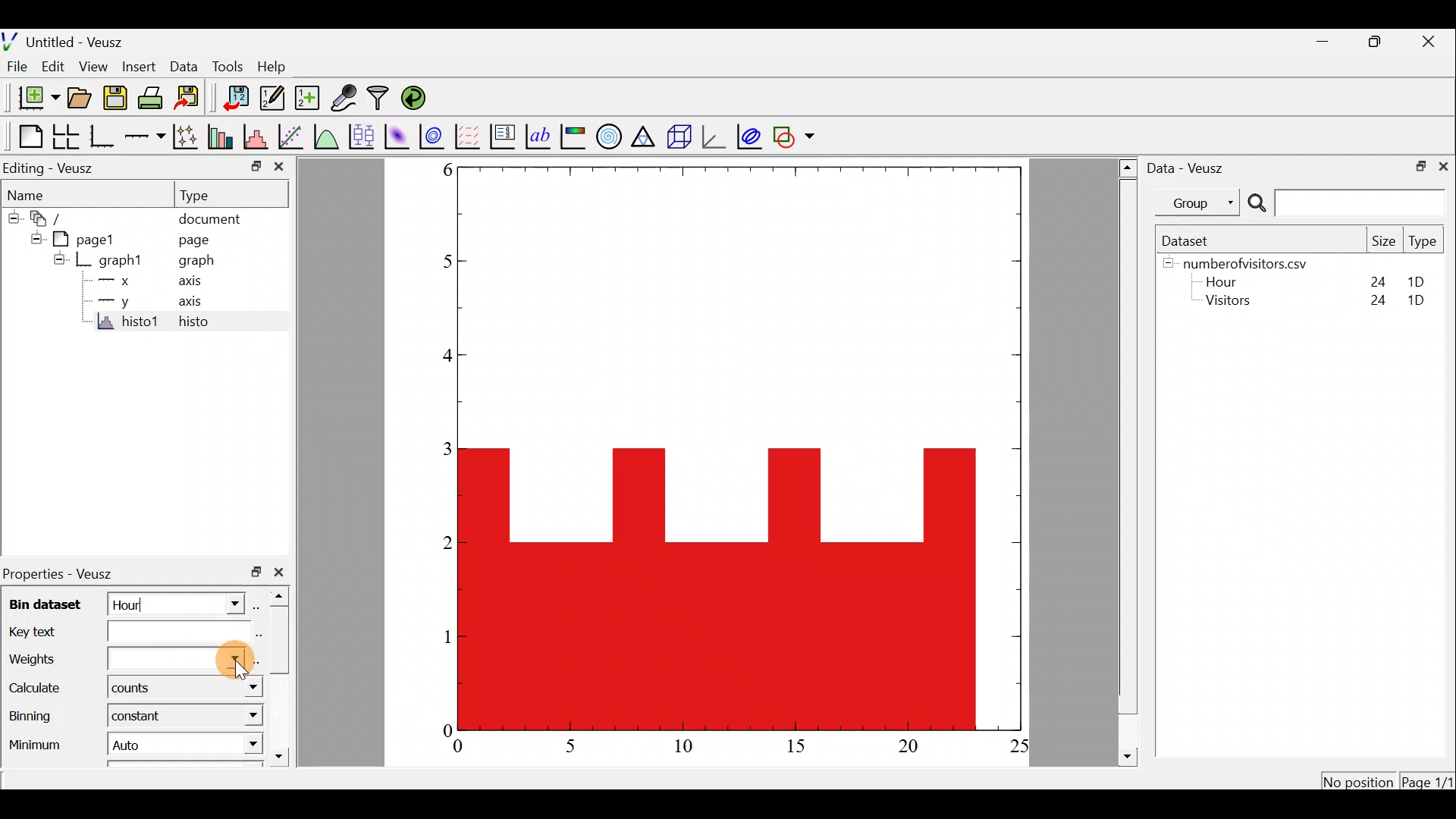 The image size is (1456, 819). I want to click on plot a 2d dataset as contours, so click(431, 136).